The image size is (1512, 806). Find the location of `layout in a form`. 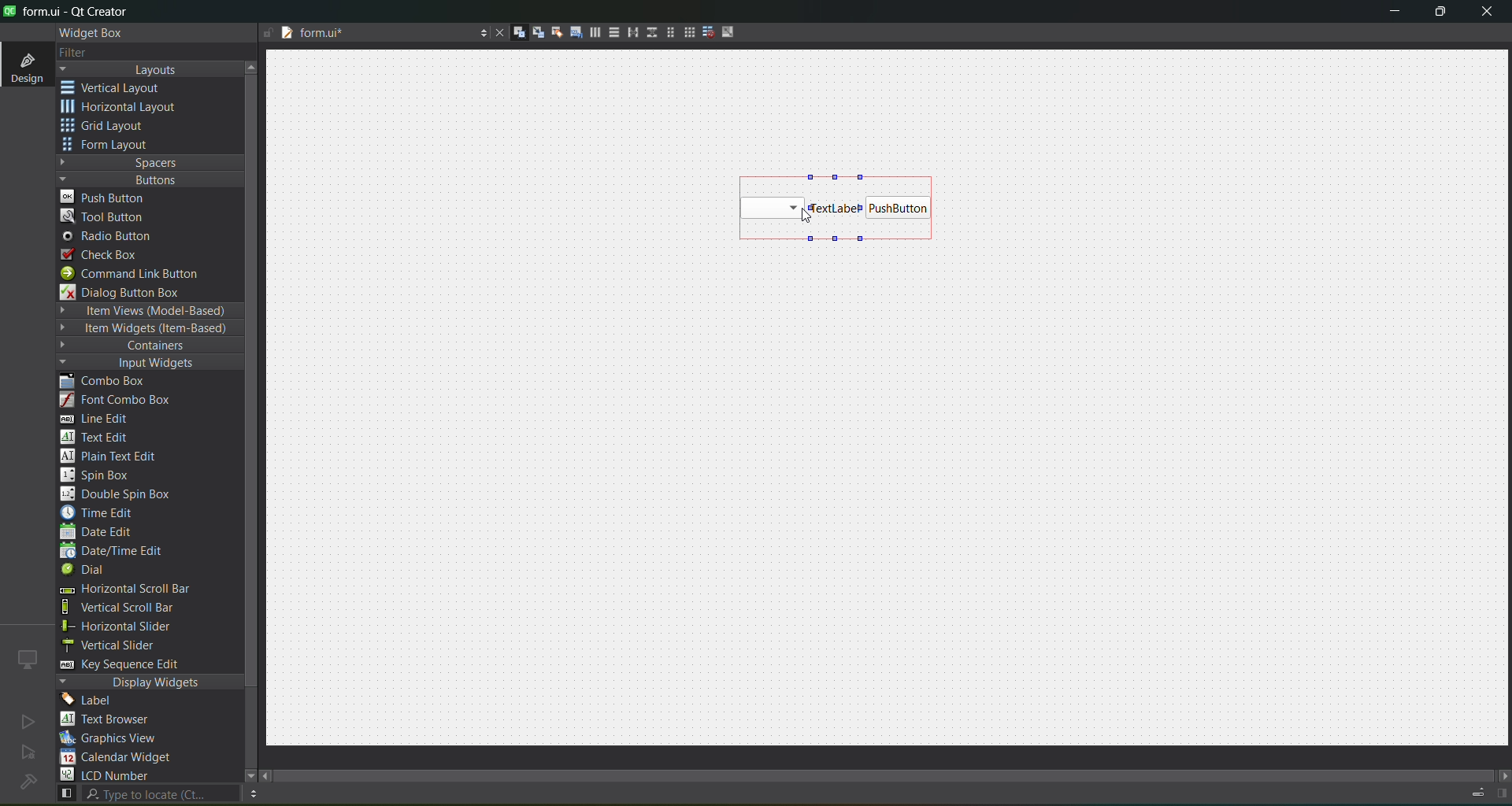

layout in a form is located at coordinates (665, 32).